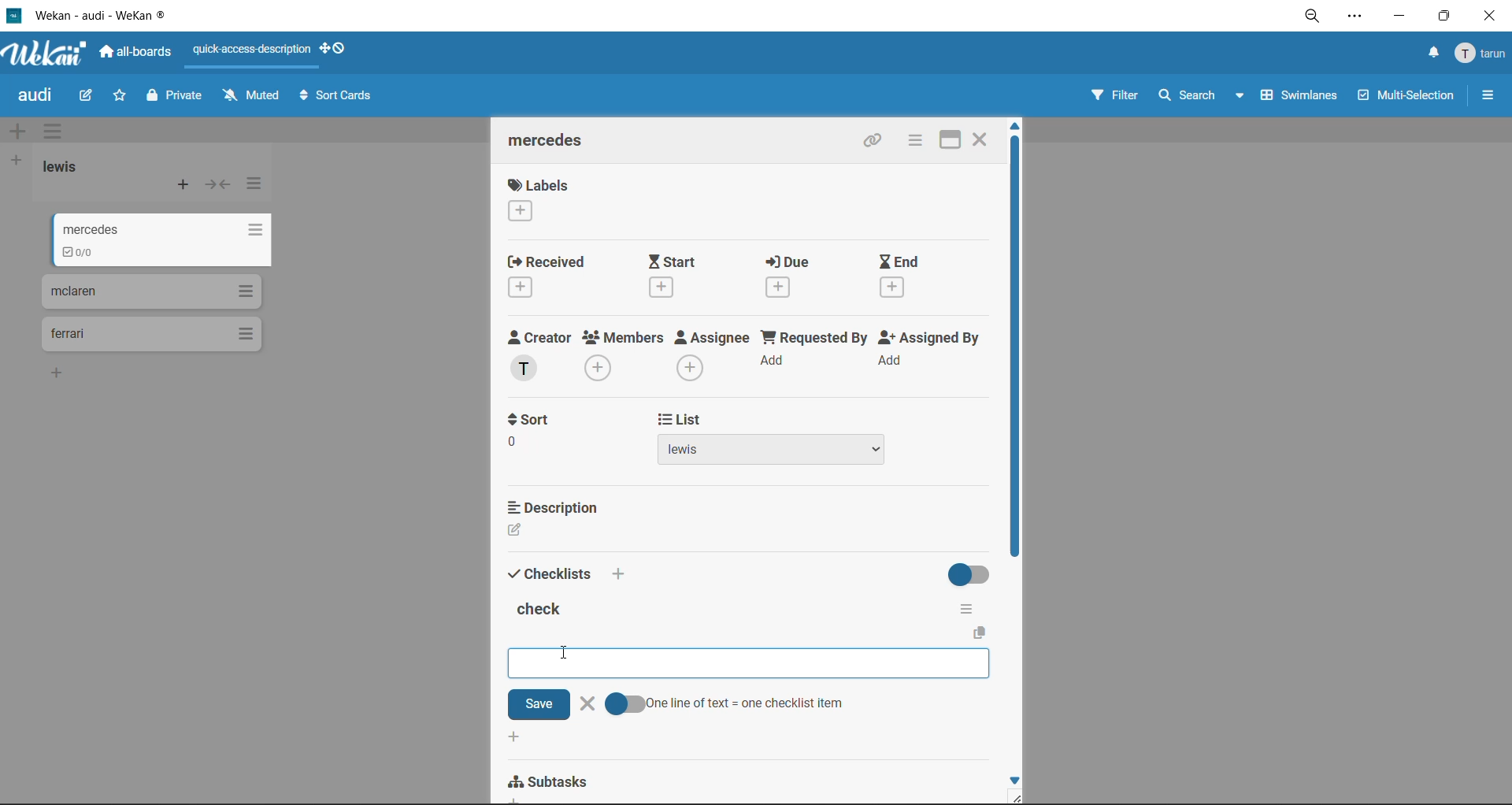 The height and width of the screenshot is (805, 1512). Describe the element at coordinates (43, 56) in the screenshot. I see `app logo` at that location.